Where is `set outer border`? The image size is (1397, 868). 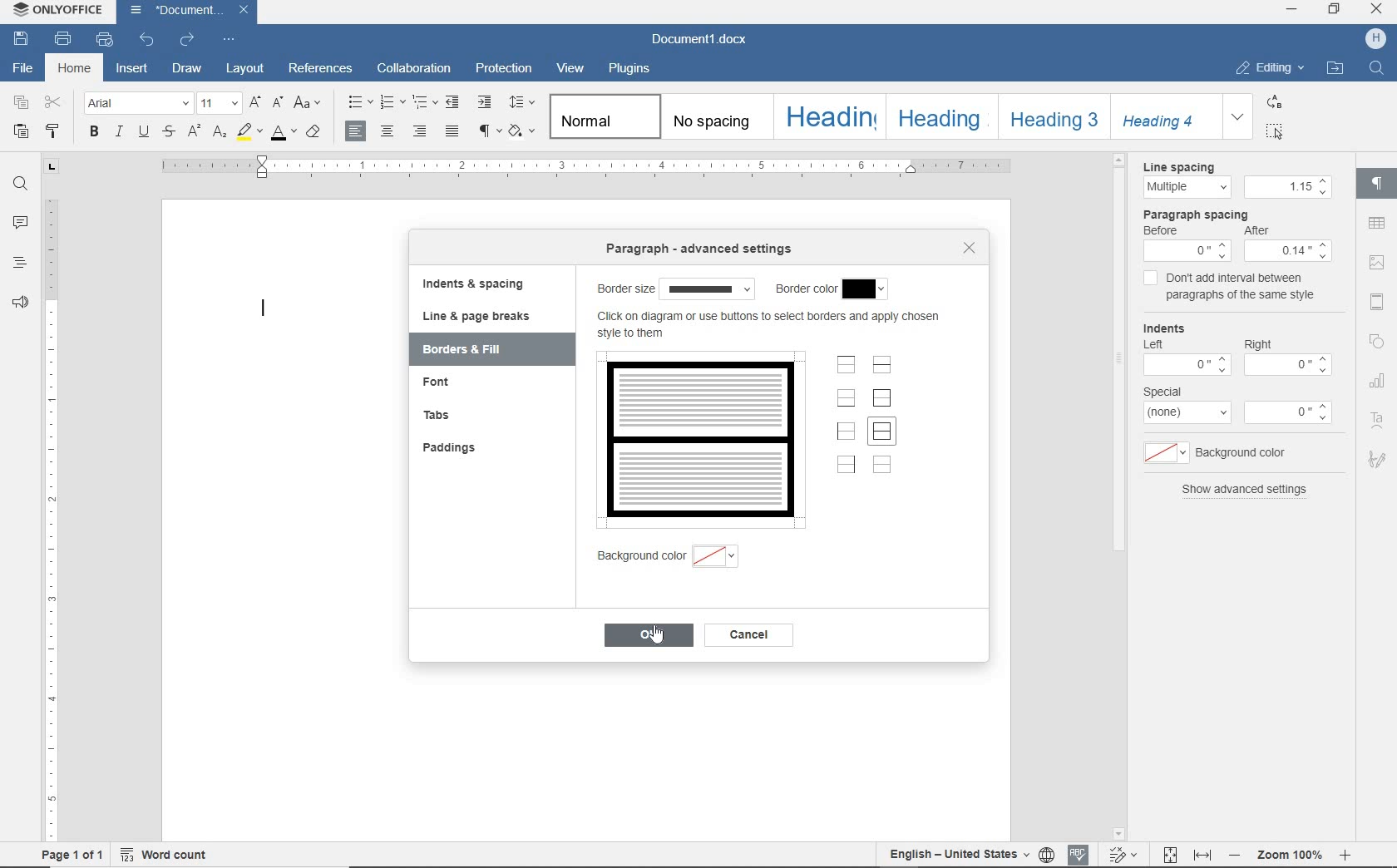 set outer border is located at coordinates (884, 398).